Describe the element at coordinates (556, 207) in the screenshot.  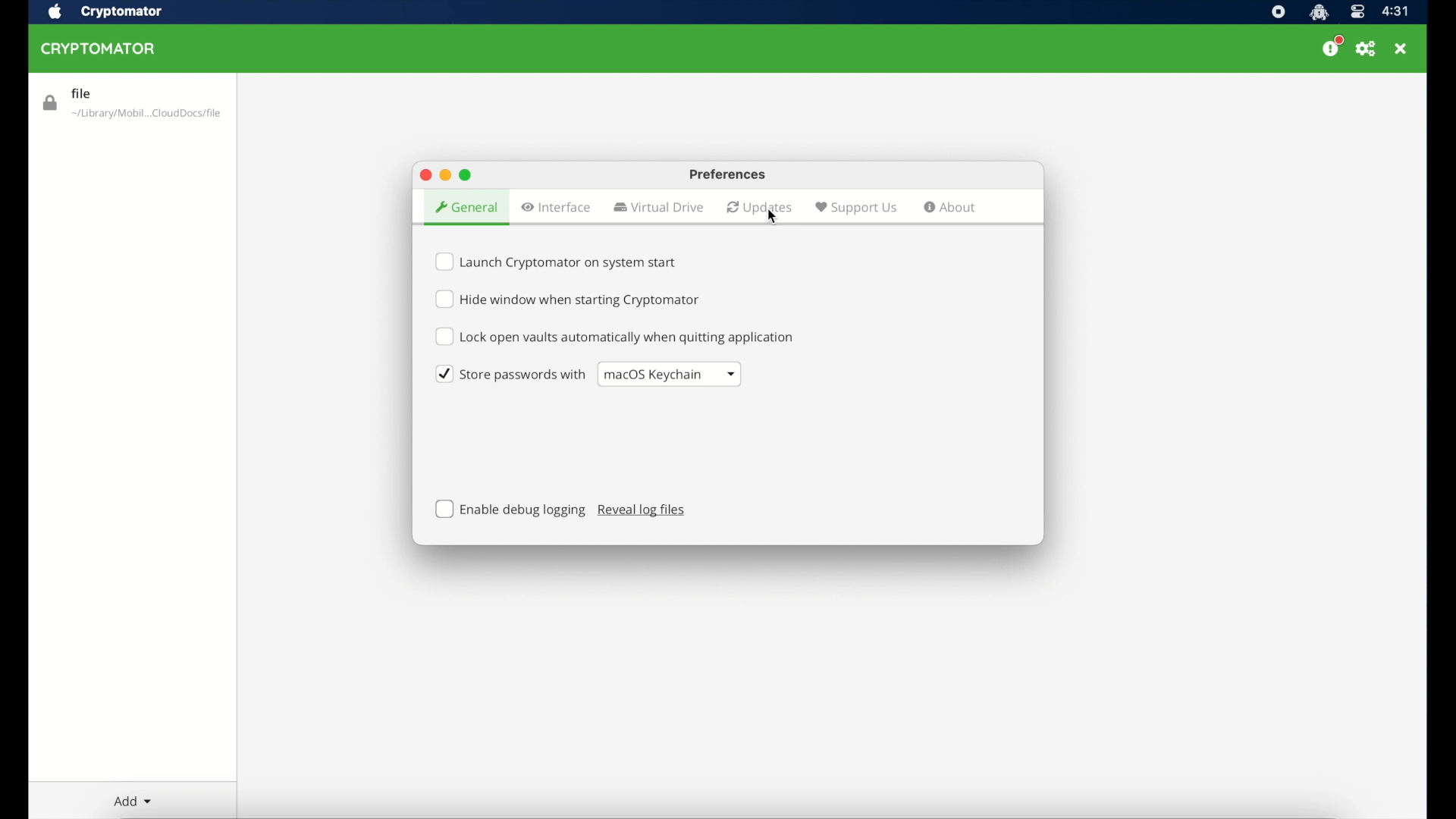
I see `interface` at that location.